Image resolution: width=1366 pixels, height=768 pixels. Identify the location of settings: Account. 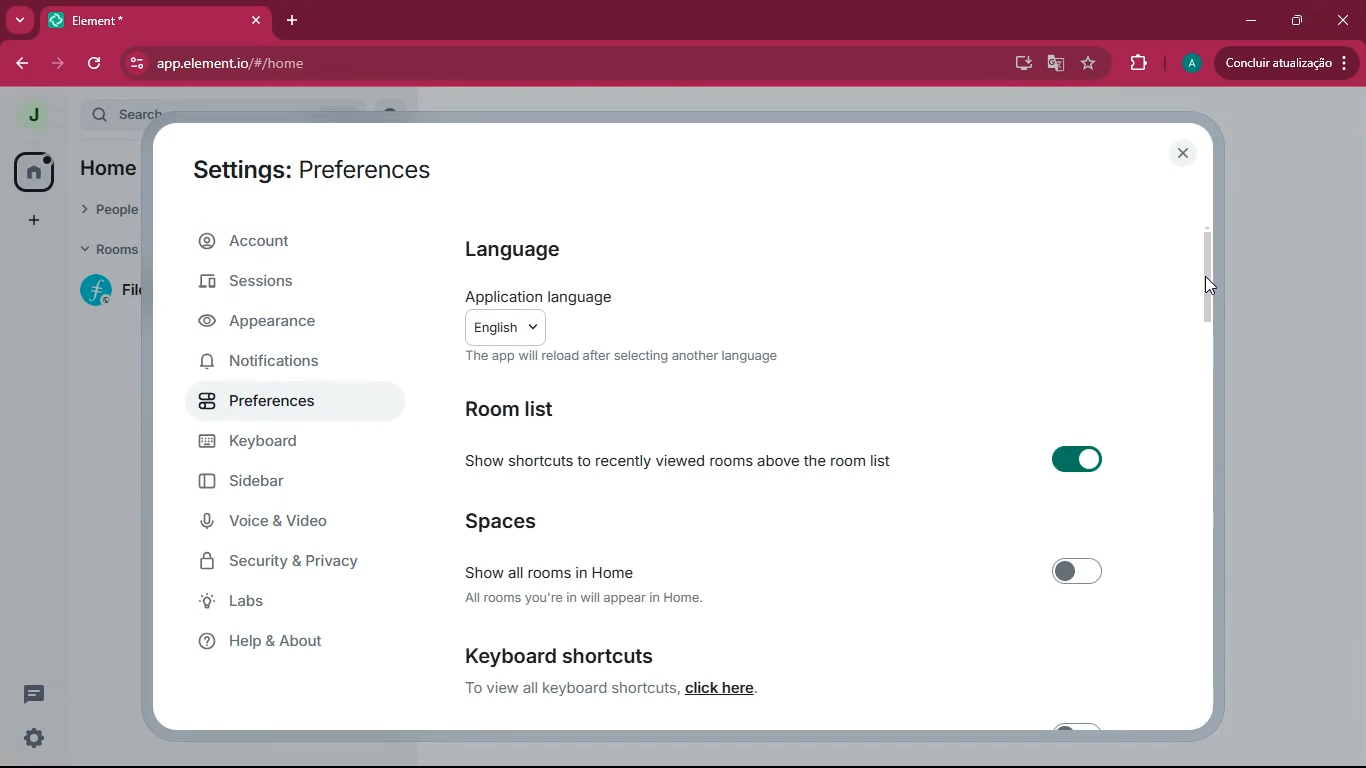
(303, 166).